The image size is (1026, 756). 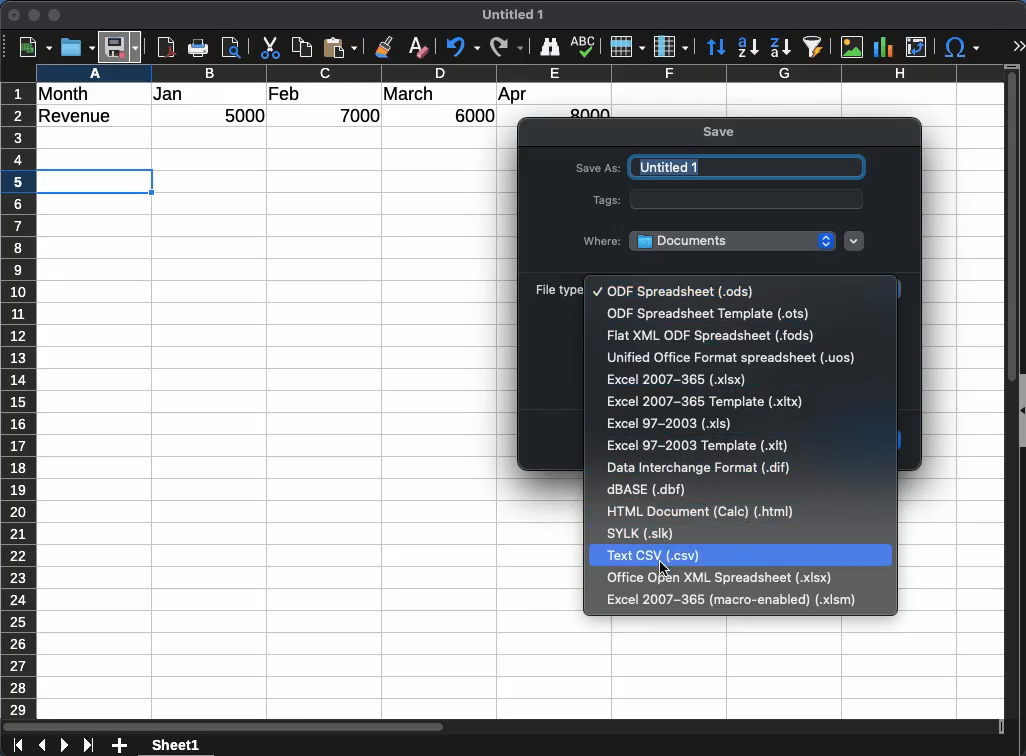 What do you see at coordinates (16, 746) in the screenshot?
I see `first sheet` at bounding box center [16, 746].